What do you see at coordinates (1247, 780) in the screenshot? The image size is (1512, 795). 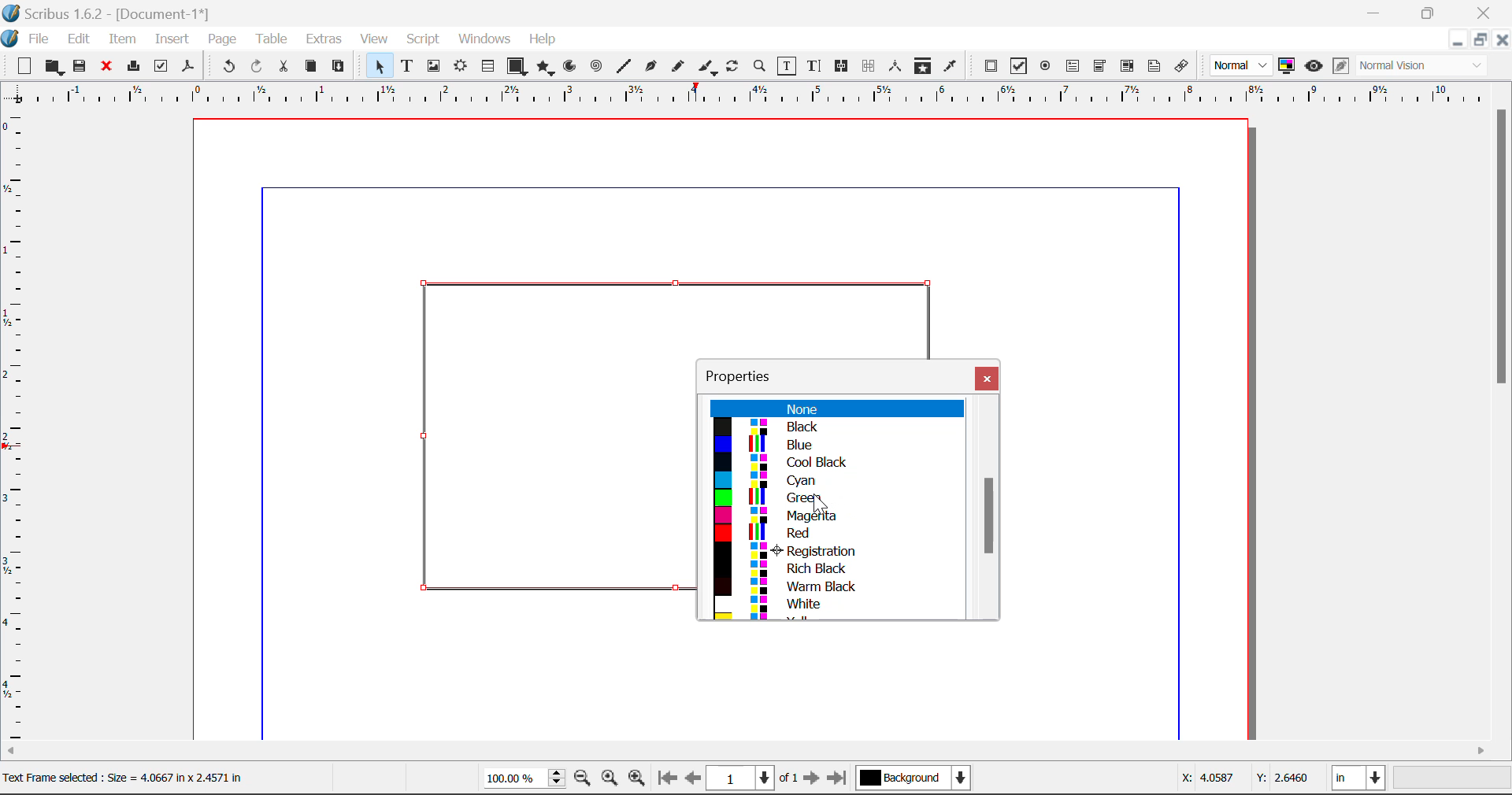 I see `Cursor Coordinates` at bounding box center [1247, 780].